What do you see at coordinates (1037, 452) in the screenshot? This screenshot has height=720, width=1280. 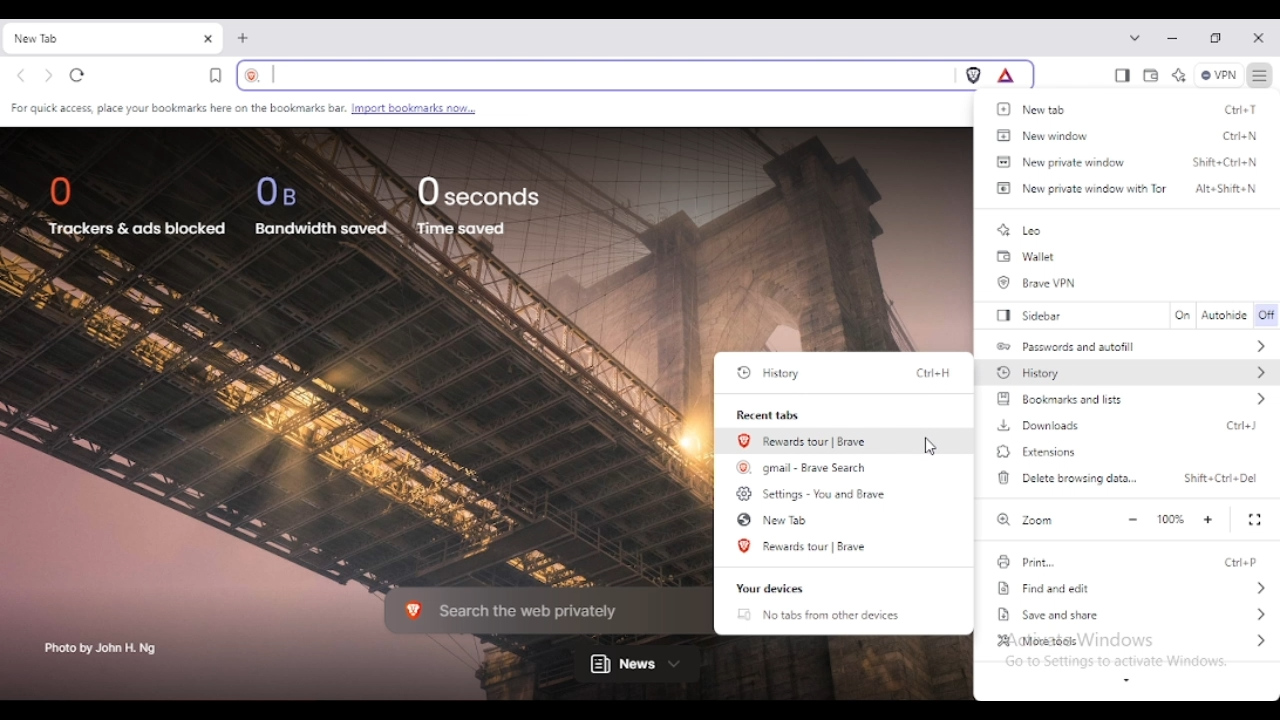 I see `extensions` at bounding box center [1037, 452].